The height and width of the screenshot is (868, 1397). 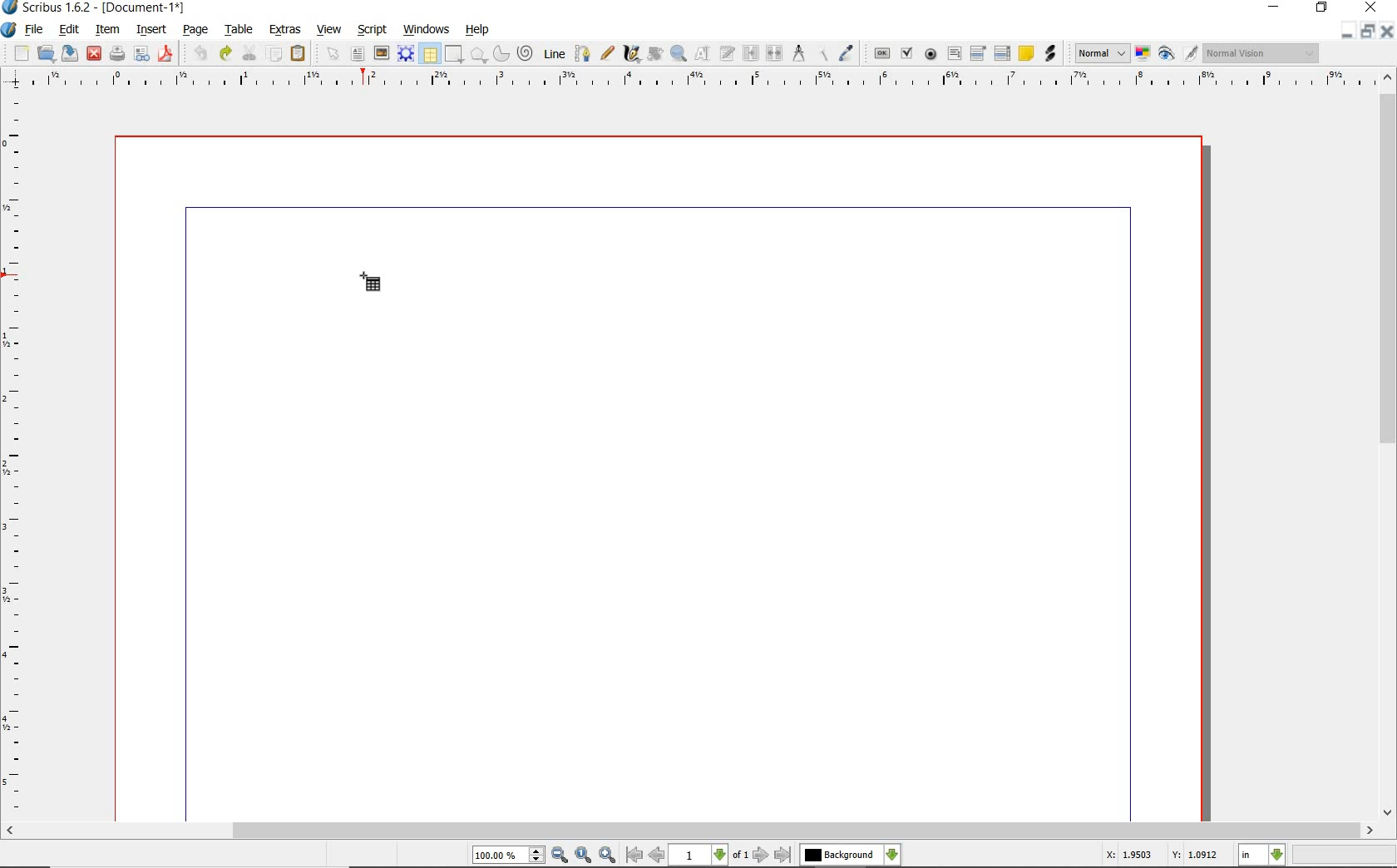 I want to click on go to last page, so click(x=784, y=855).